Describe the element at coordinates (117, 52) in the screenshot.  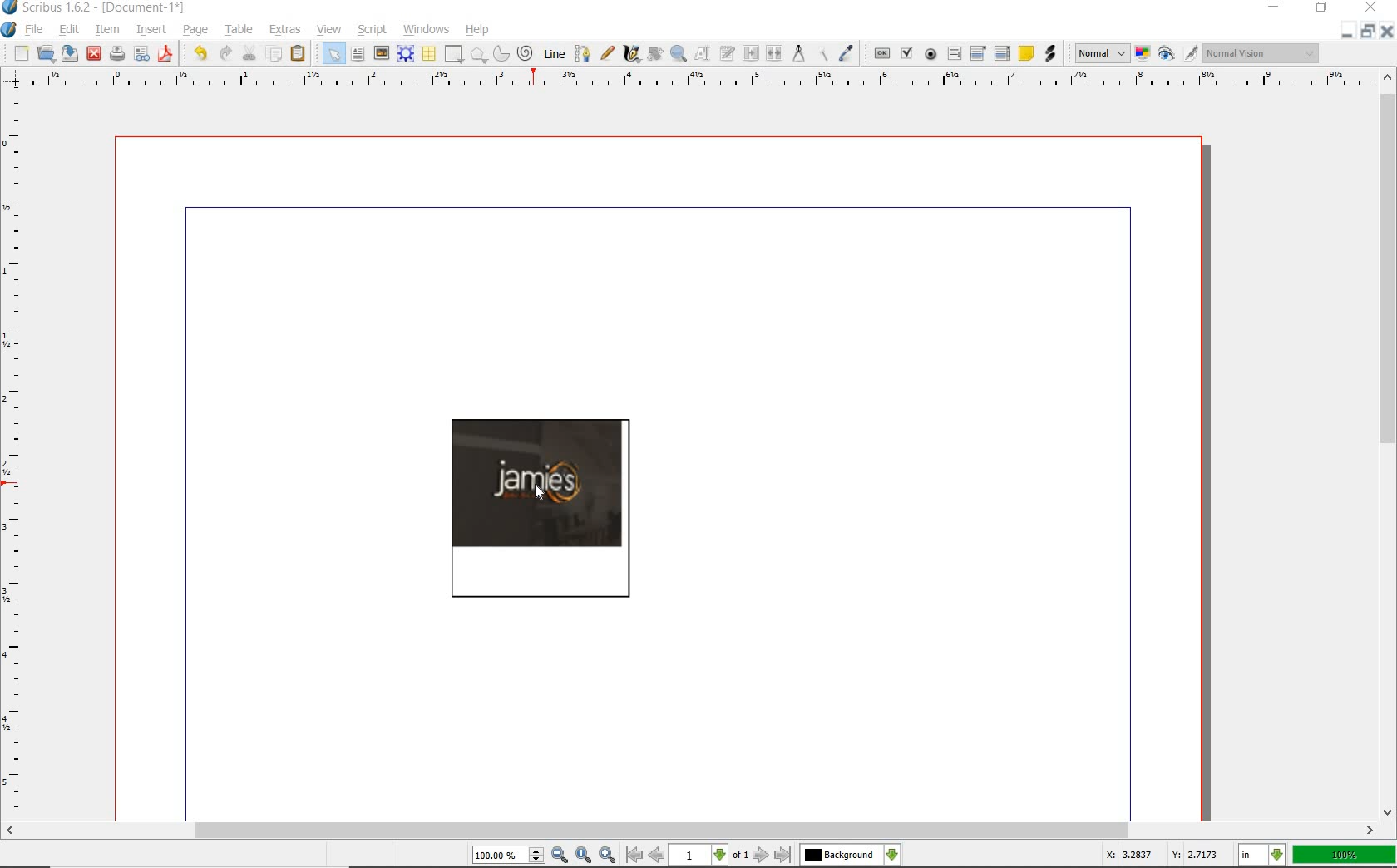
I see `save` at that location.